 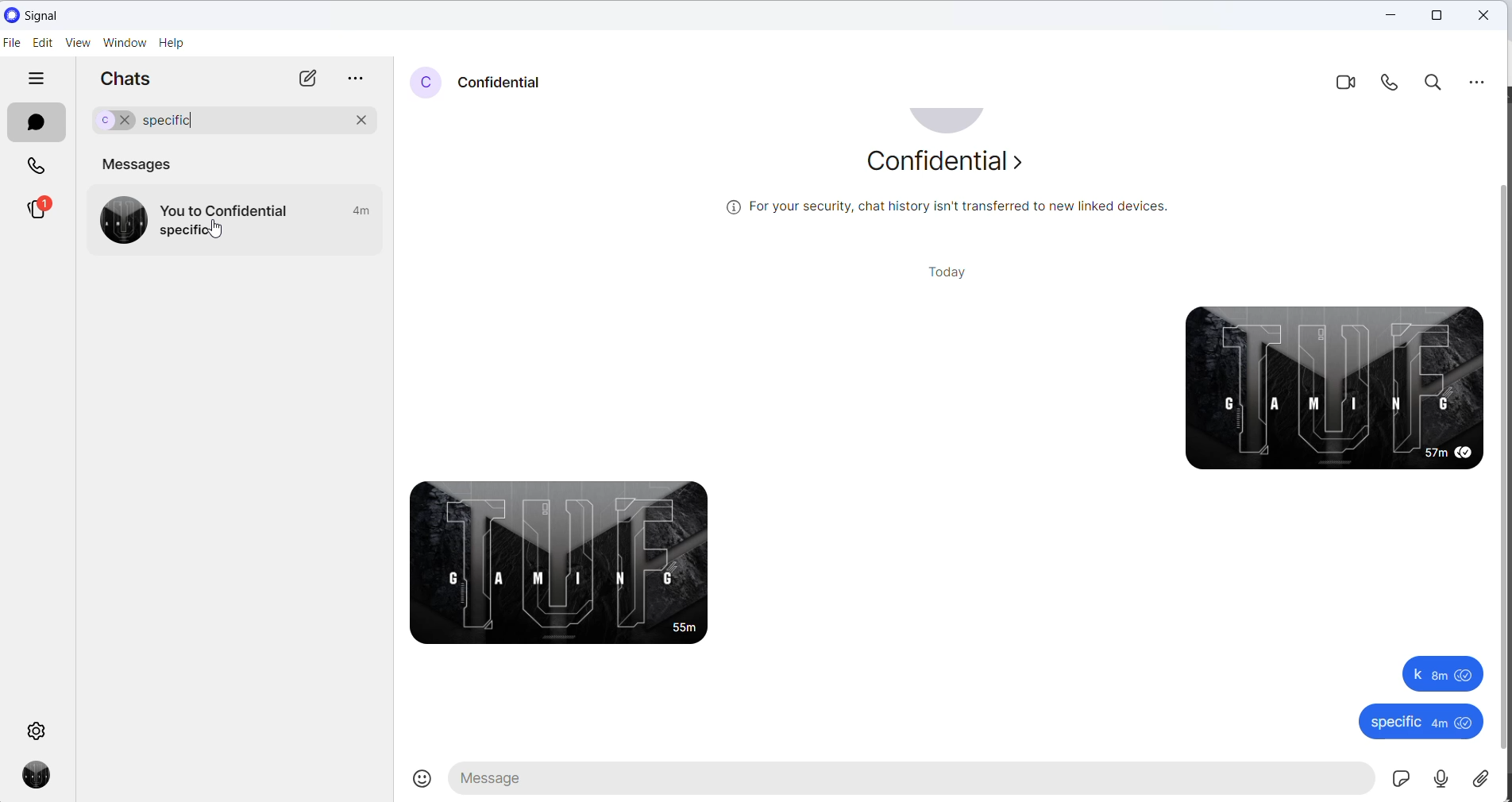 I want to click on video call, so click(x=1346, y=83).